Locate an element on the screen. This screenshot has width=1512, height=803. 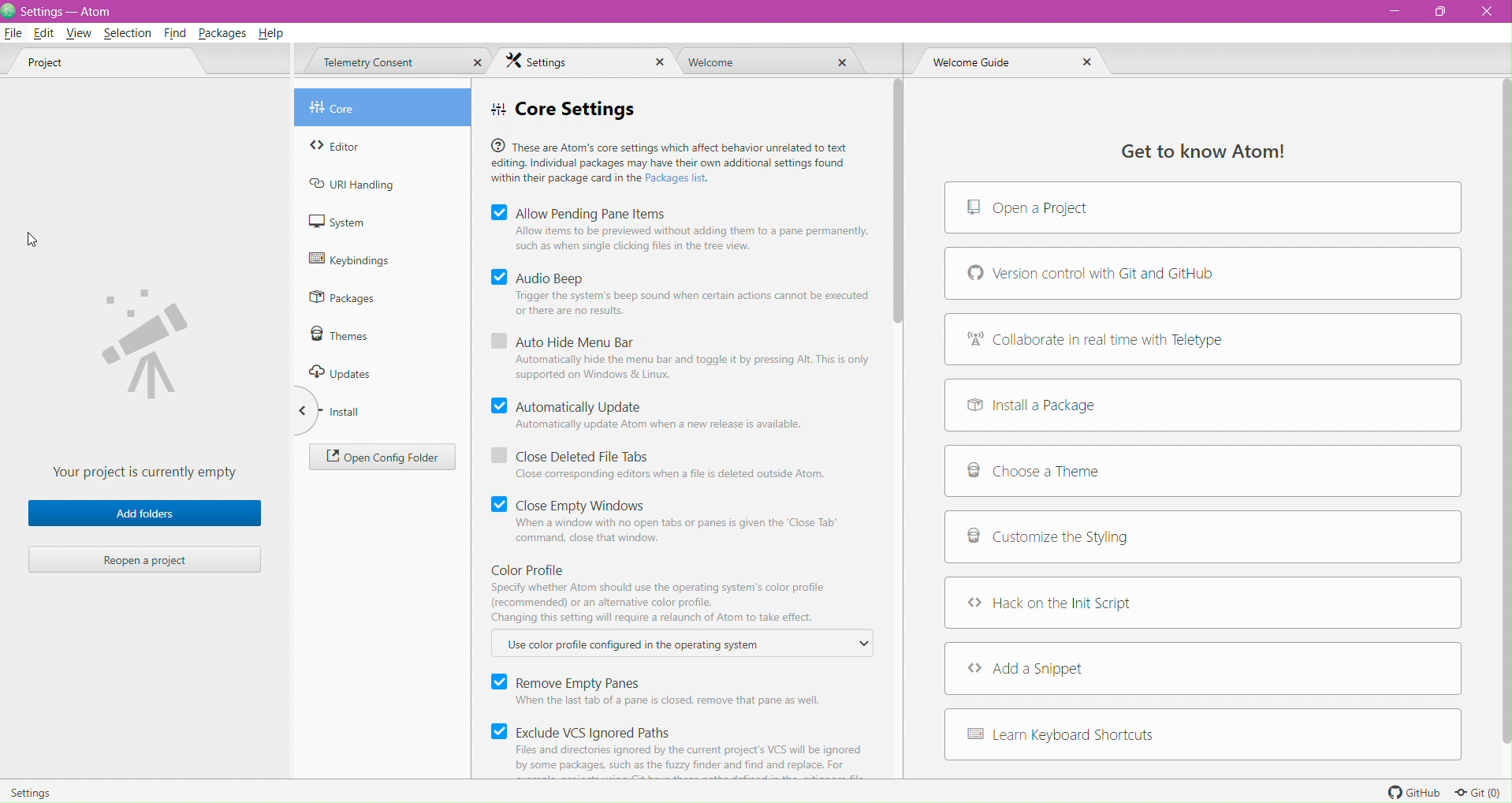
Keybindings is located at coordinates (359, 259).